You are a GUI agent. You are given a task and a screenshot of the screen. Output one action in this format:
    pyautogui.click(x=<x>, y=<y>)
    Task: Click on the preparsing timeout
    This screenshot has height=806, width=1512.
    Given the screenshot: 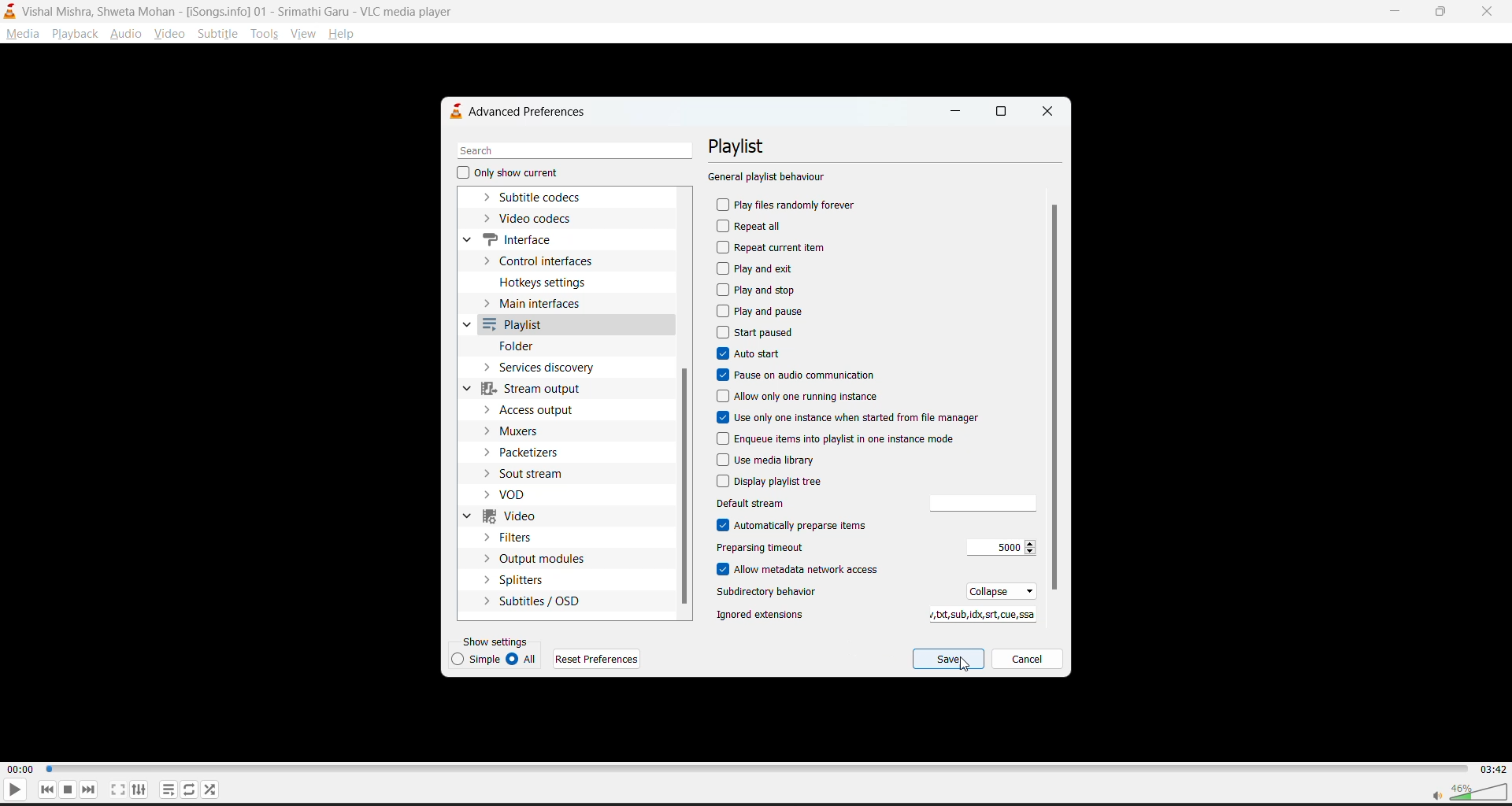 What is the action you would take?
    pyautogui.click(x=874, y=547)
    